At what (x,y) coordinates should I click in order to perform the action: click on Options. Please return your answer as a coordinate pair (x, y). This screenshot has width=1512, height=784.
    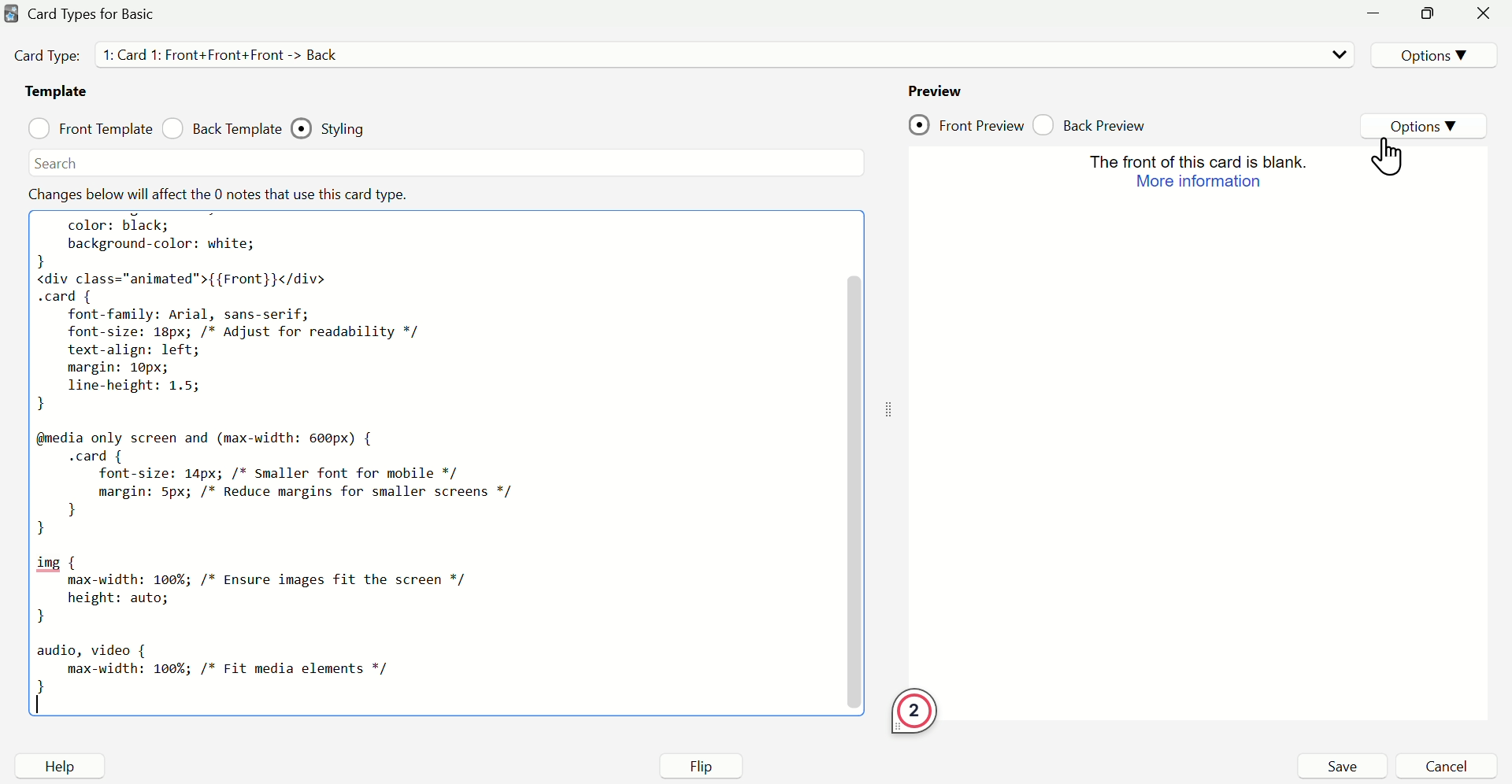
    Looking at the image, I should click on (1430, 53).